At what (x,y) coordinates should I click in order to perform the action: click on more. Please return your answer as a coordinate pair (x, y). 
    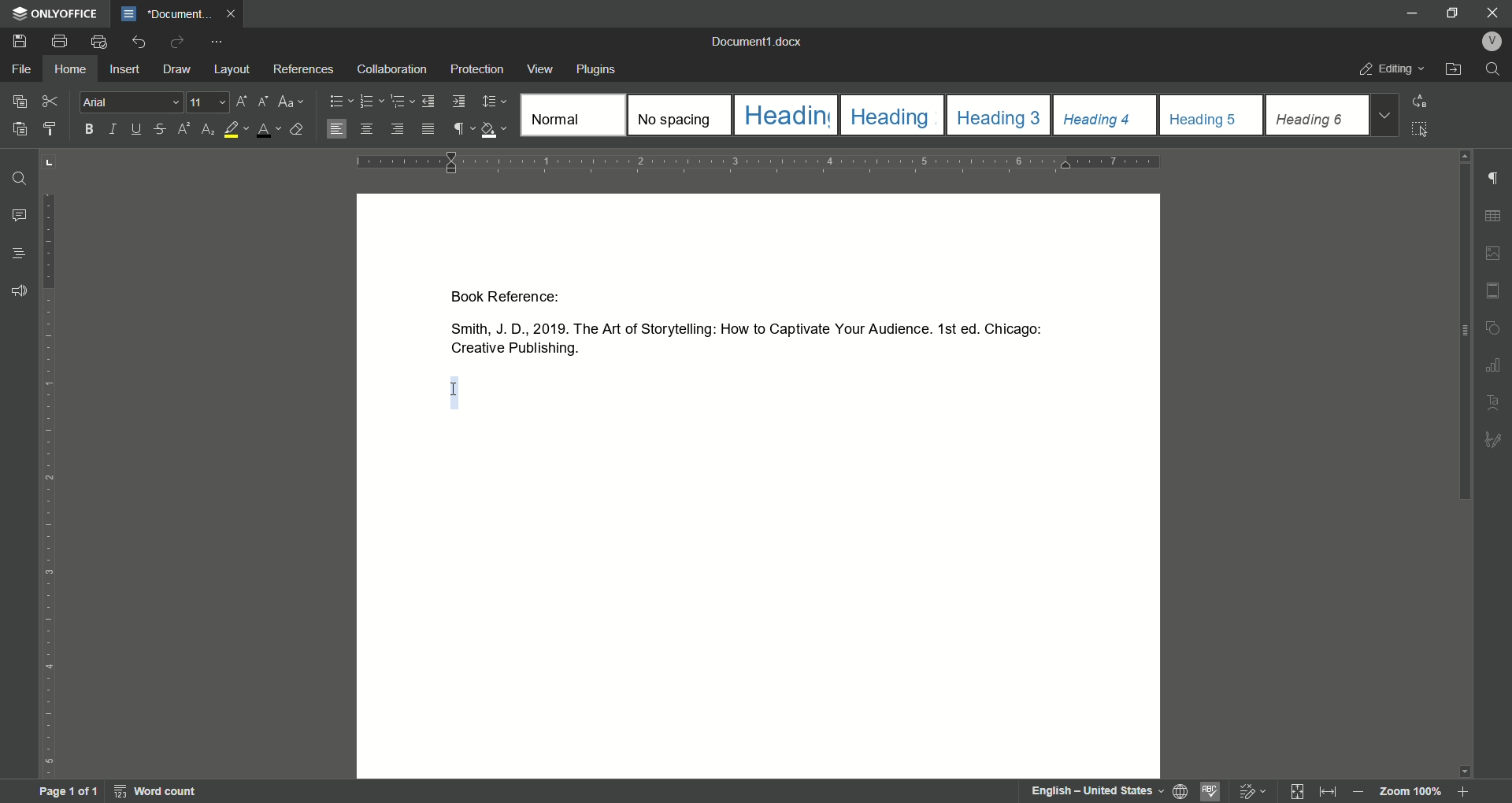
    Looking at the image, I should click on (217, 43).